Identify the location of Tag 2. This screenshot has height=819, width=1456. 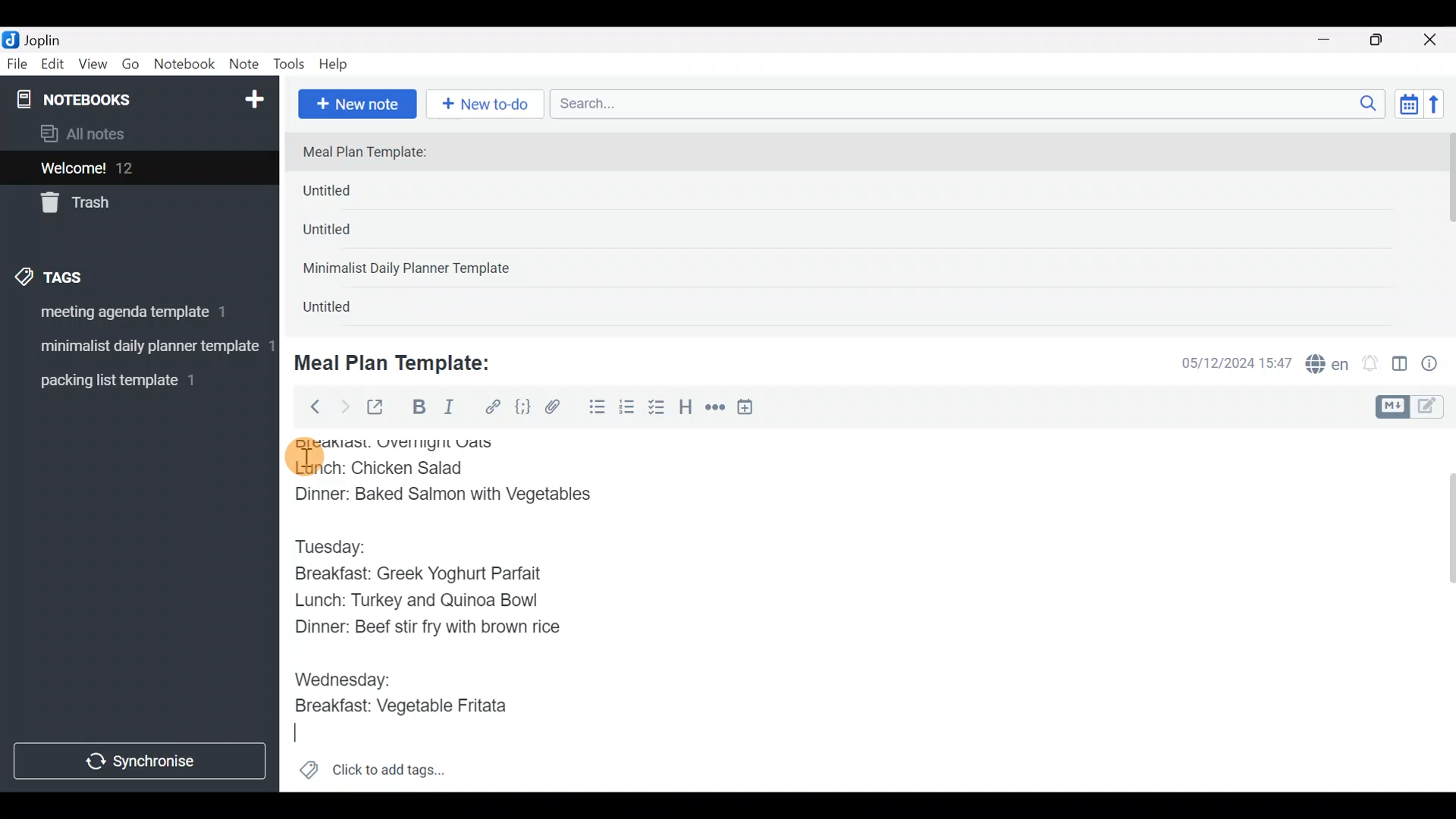
(139, 348).